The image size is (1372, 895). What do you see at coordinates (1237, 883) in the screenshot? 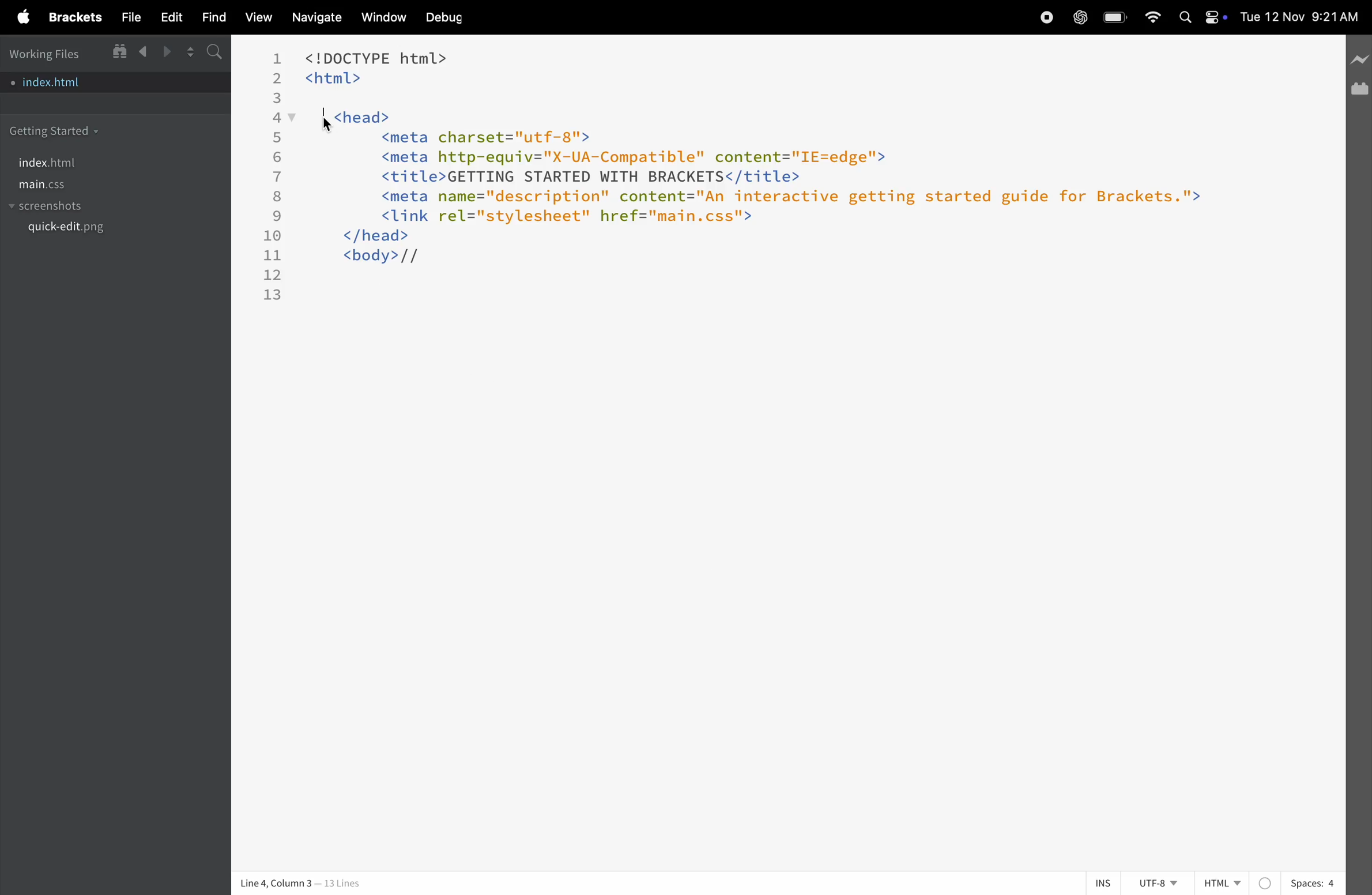
I see `Html ` at bounding box center [1237, 883].